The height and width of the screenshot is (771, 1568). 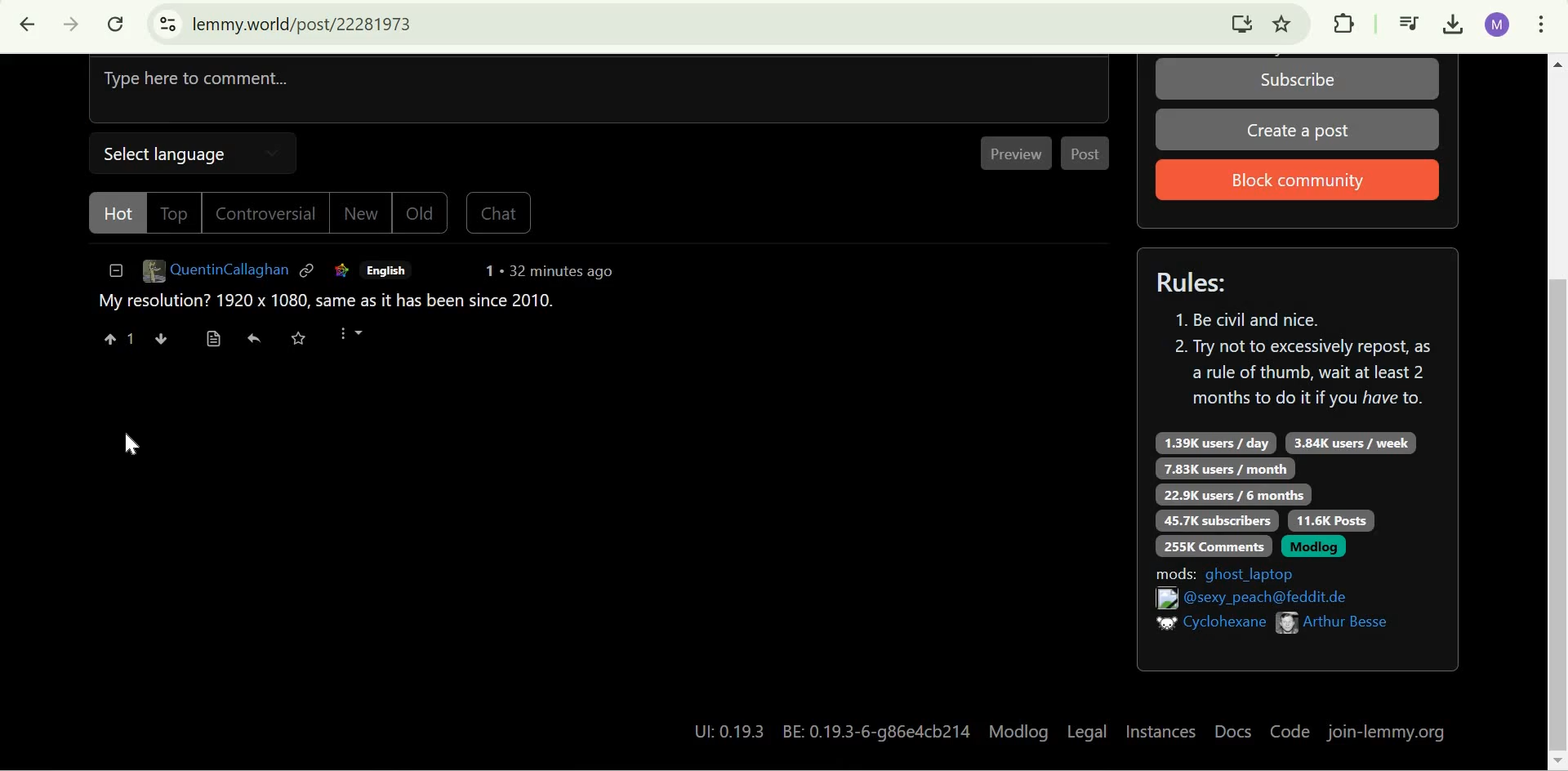 What do you see at coordinates (1330, 520) in the screenshot?
I see `11.6K posts` at bounding box center [1330, 520].